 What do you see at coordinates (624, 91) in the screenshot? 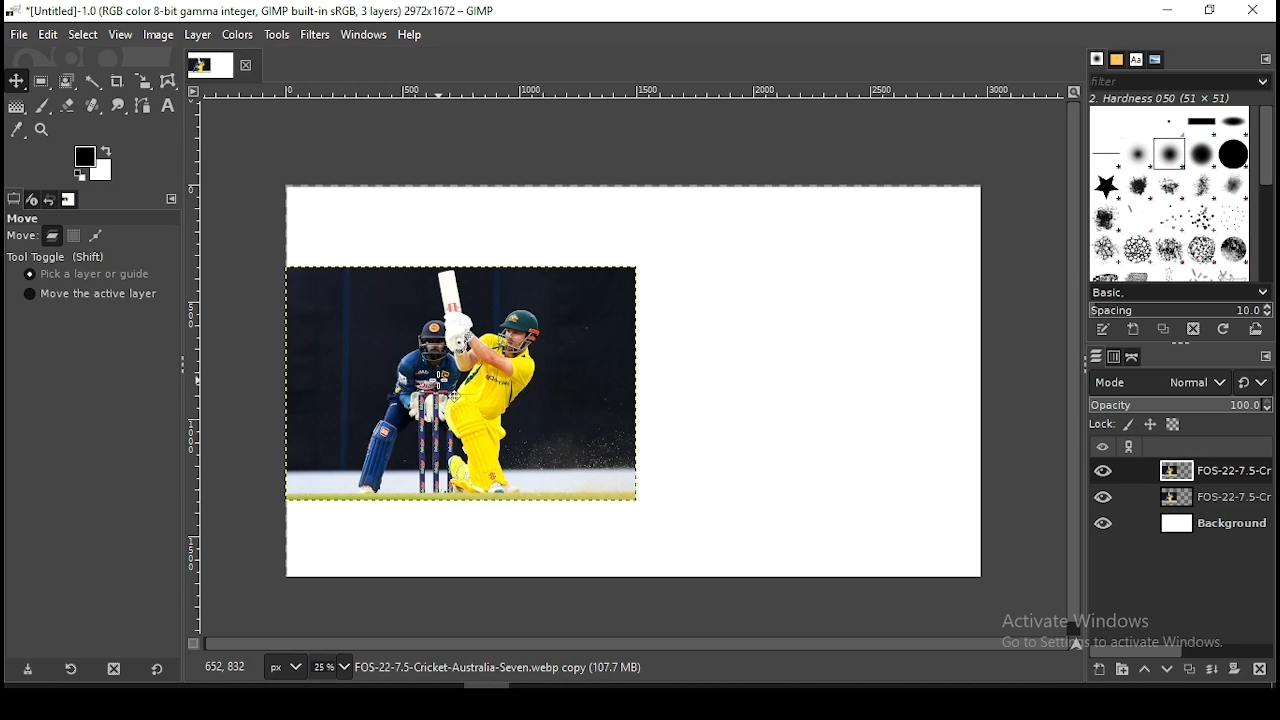
I see `scale` at bounding box center [624, 91].